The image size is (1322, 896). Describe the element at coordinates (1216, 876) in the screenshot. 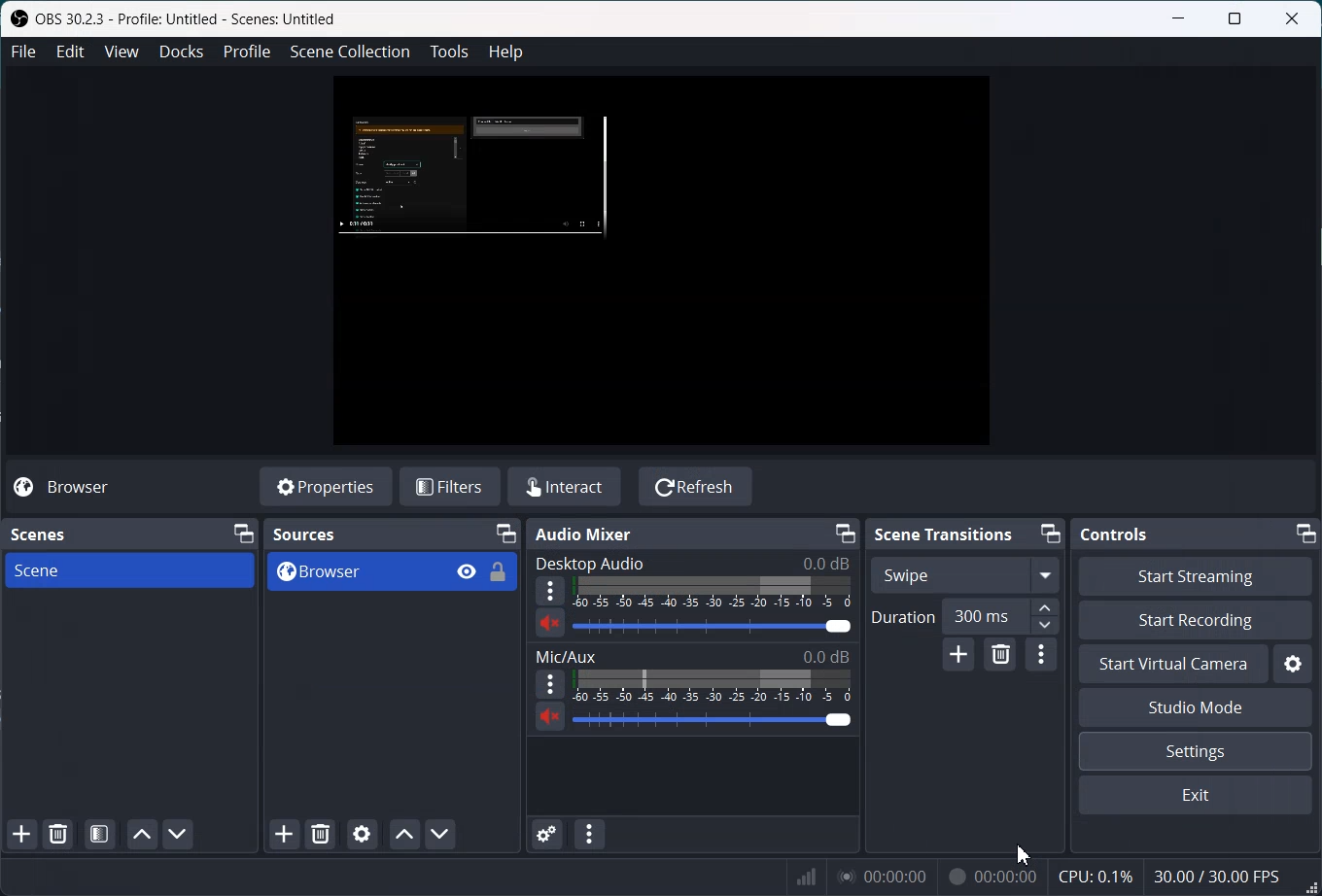

I see `30.00 / 30.00 FPS` at that location.